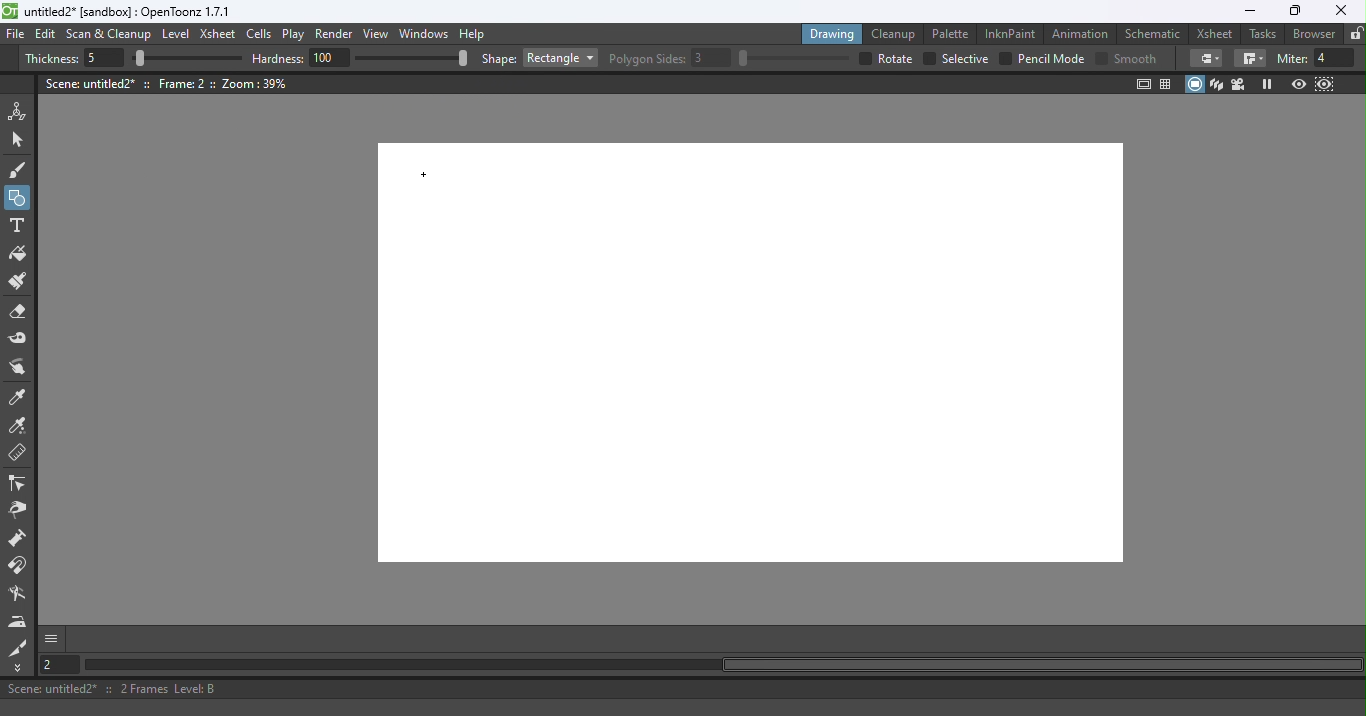 The width and height of the screenshot is (1366, 716). I want to click on checkbox, so click(863, 58).